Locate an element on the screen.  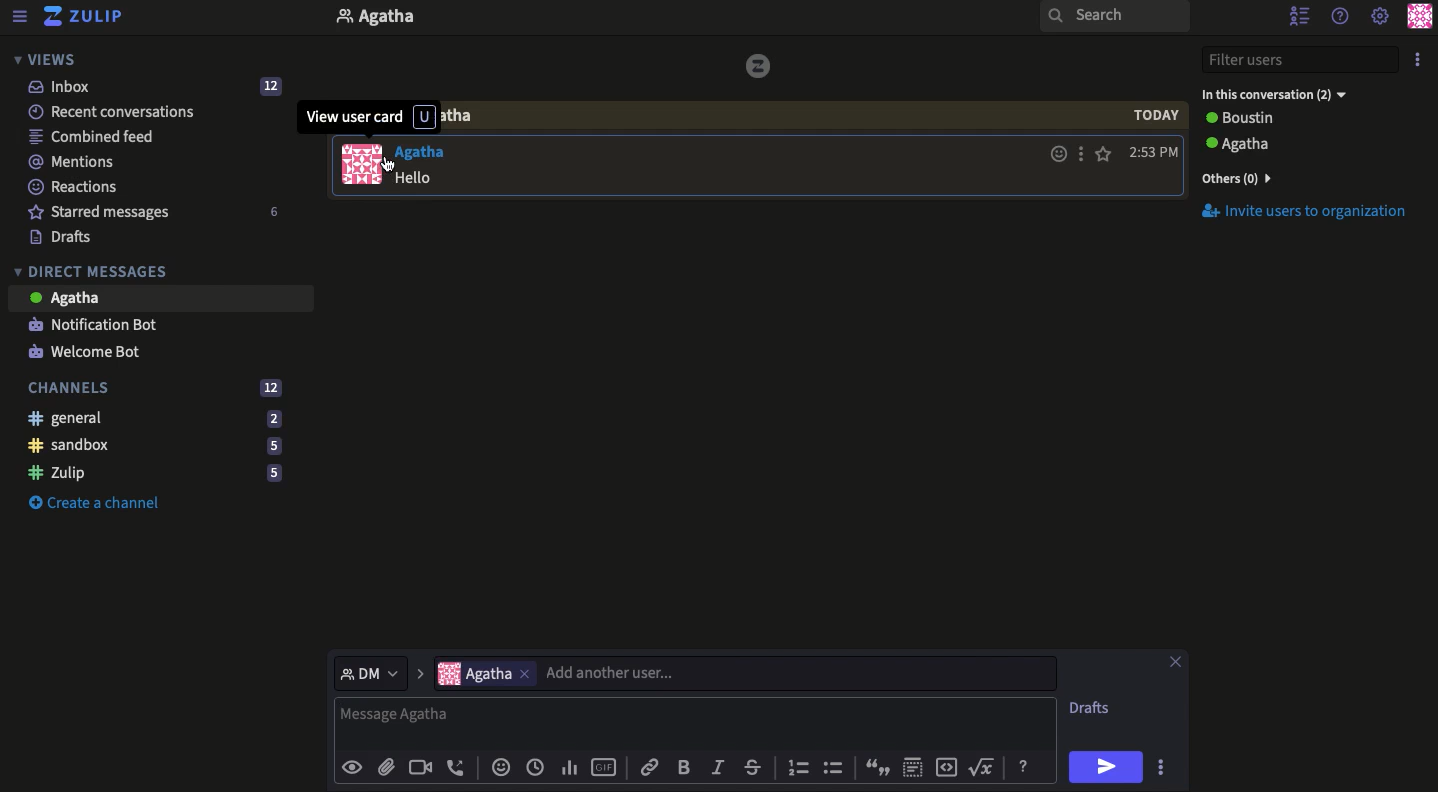
Bold is located at coordinates (684, 766).